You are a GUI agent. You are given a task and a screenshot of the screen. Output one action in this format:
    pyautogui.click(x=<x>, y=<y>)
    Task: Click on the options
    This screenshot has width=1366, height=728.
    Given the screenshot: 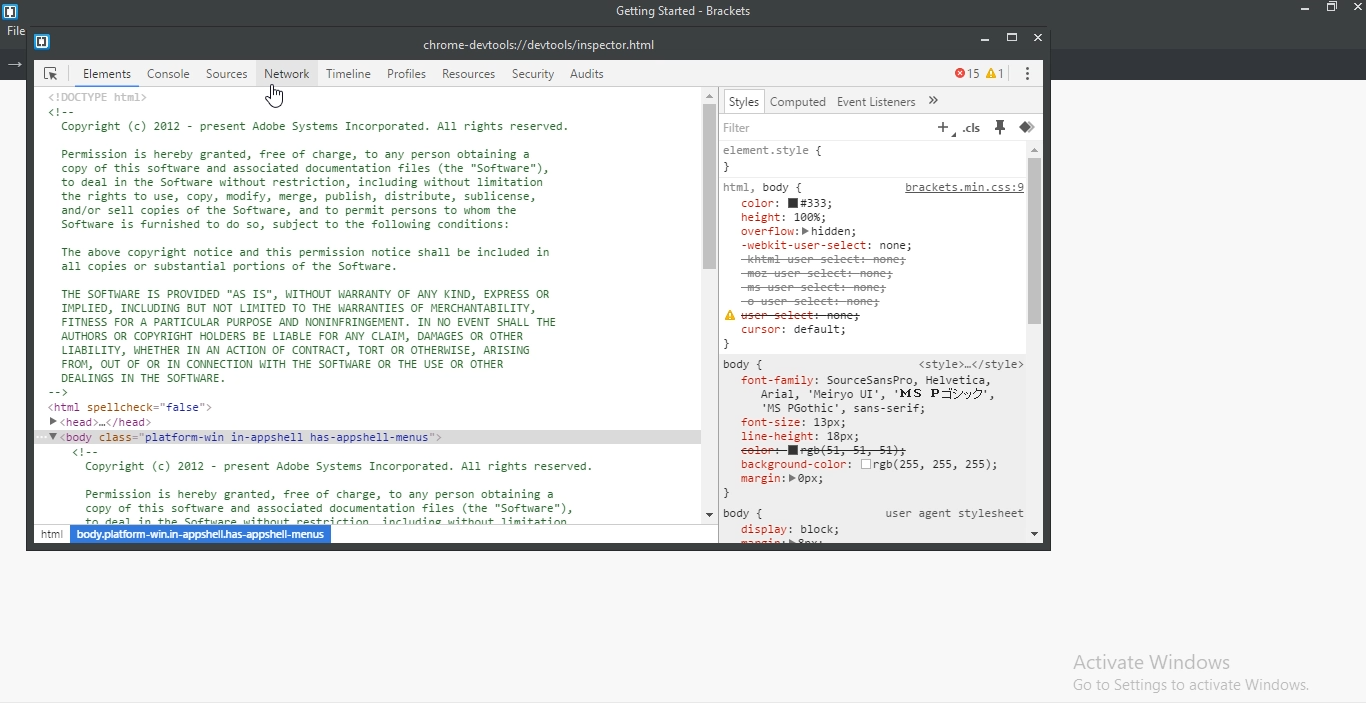 What is the action you would take?
    pyautogui.click(x=1027, y=74)
    